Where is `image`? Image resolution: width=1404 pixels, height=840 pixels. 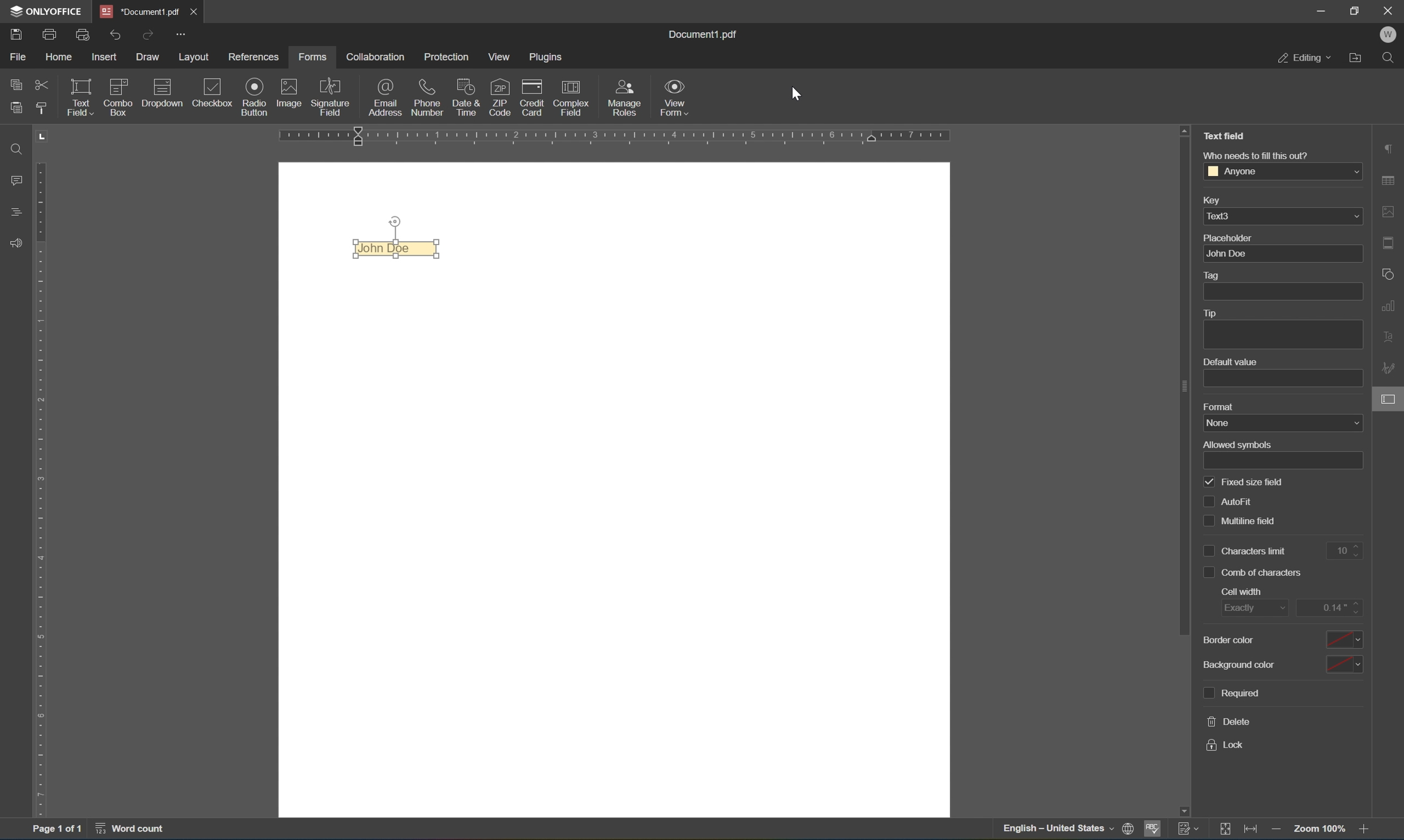 image is located at coordinates (288, 92).